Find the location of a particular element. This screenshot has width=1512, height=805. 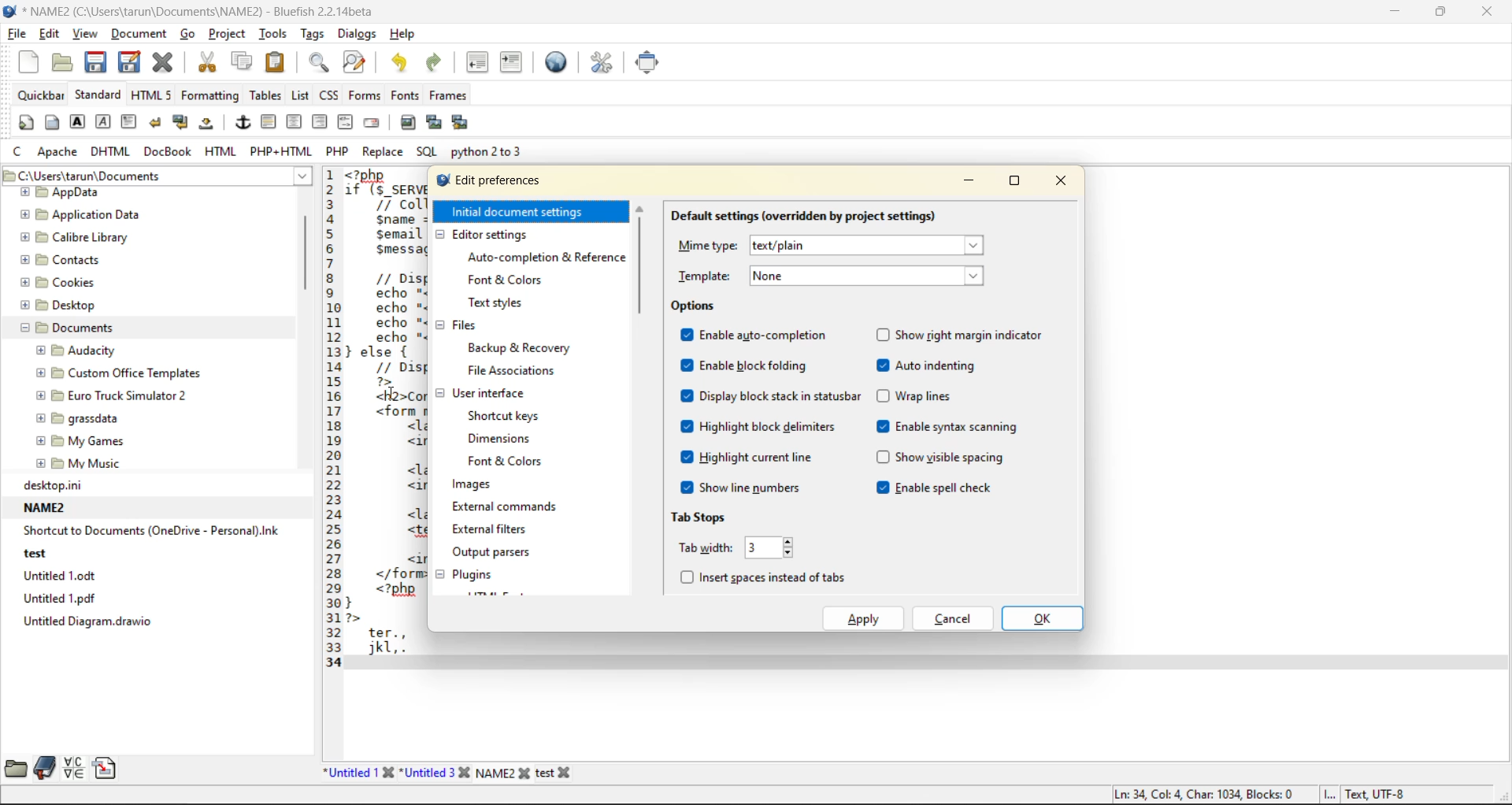

horizontal rule is located at coordinates (269, 121).